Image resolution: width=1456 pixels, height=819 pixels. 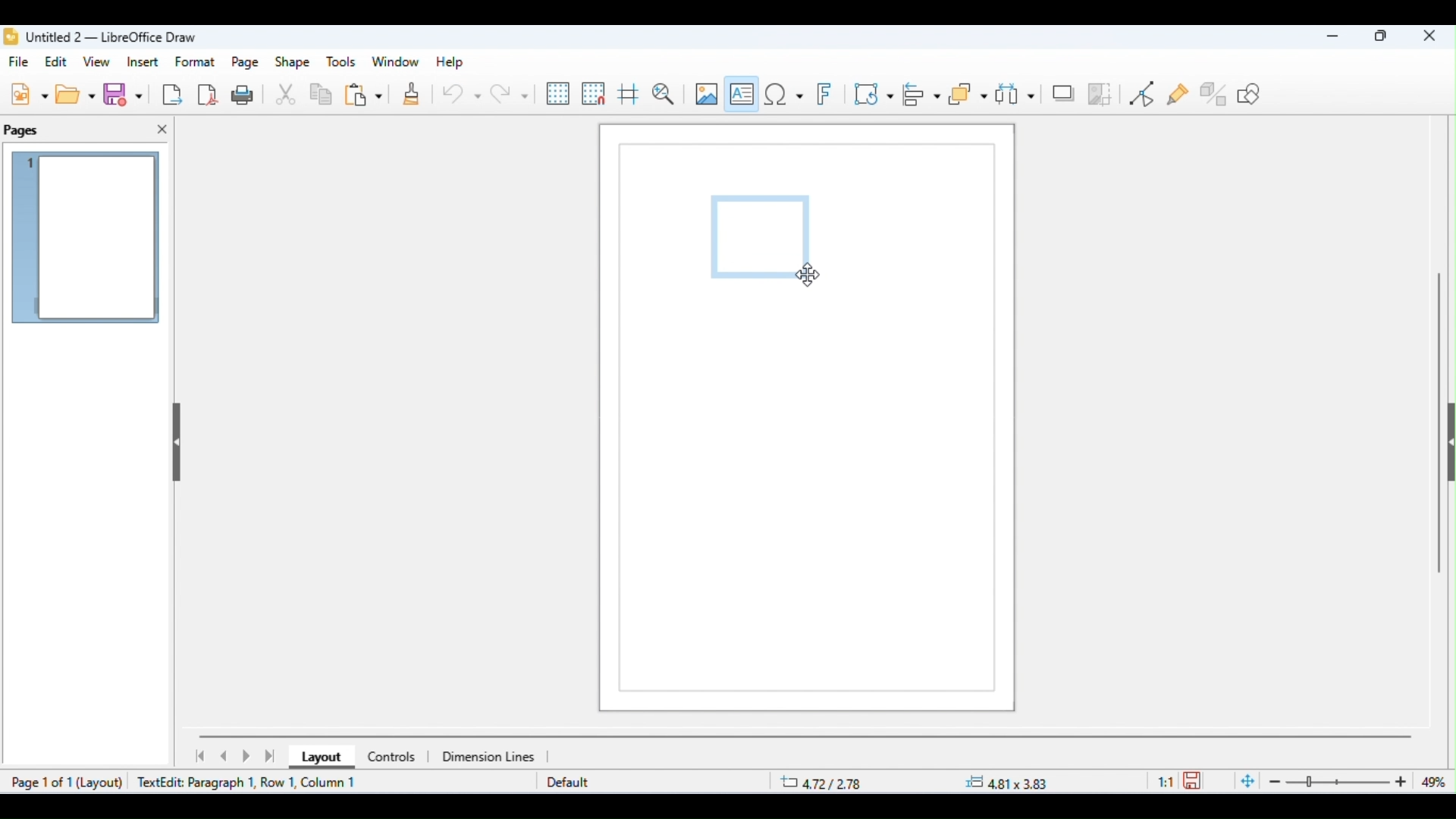 I want to click on insert, so click(x=143, y=61).